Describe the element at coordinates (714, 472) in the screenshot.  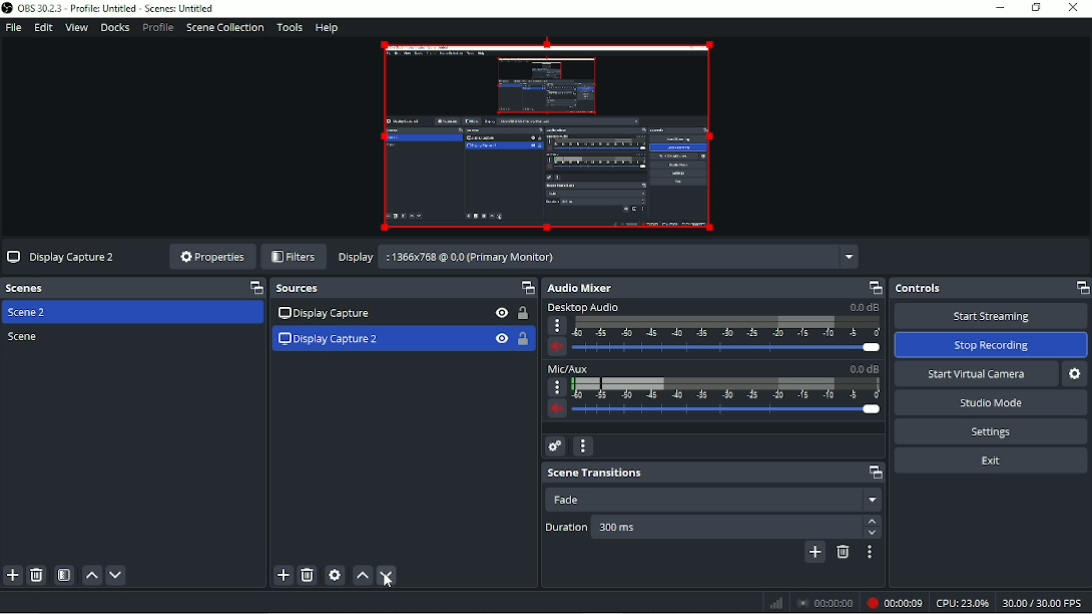
I see `Scene transitions` at that location.